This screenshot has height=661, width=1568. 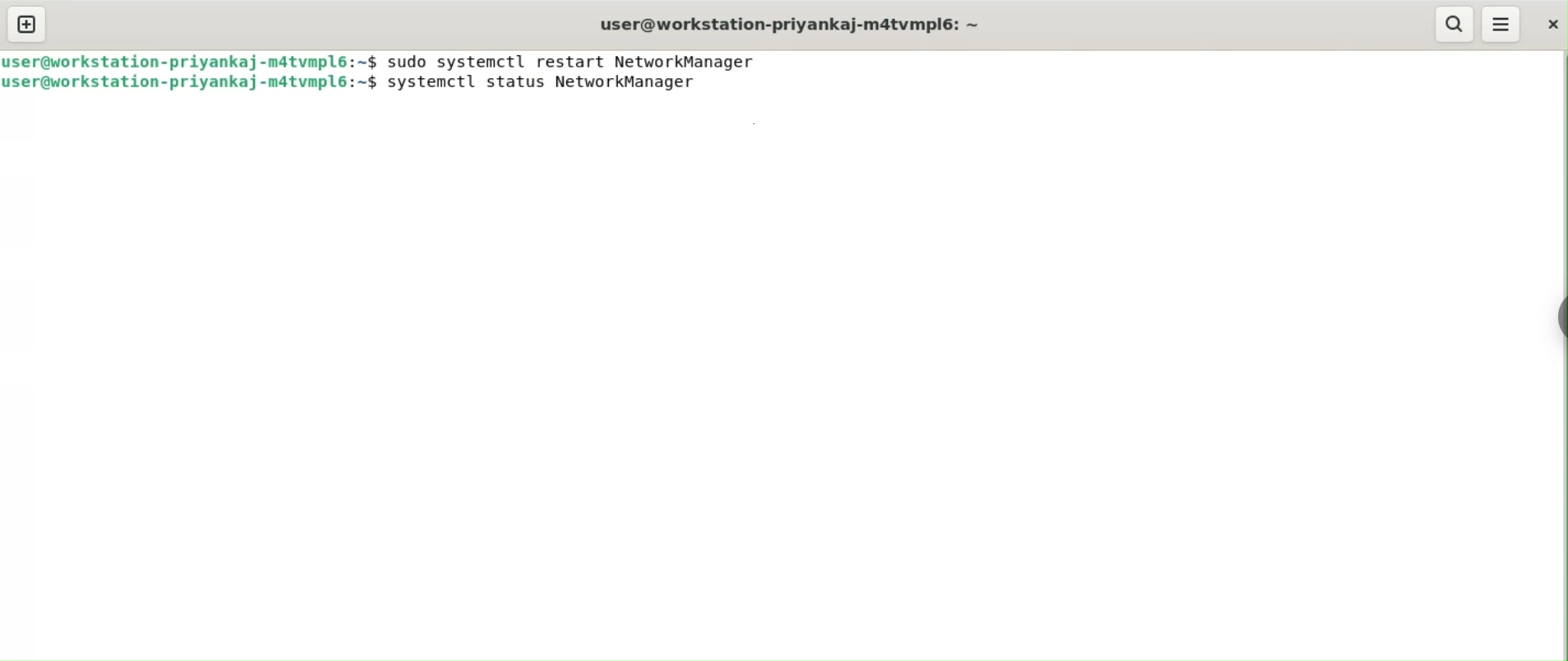 What do you see at coordinates (190, 82) in the screenshot?
I see `user@workstation-priyankaj-m4tvmlp6:~$` at bounding box center [190, 82].